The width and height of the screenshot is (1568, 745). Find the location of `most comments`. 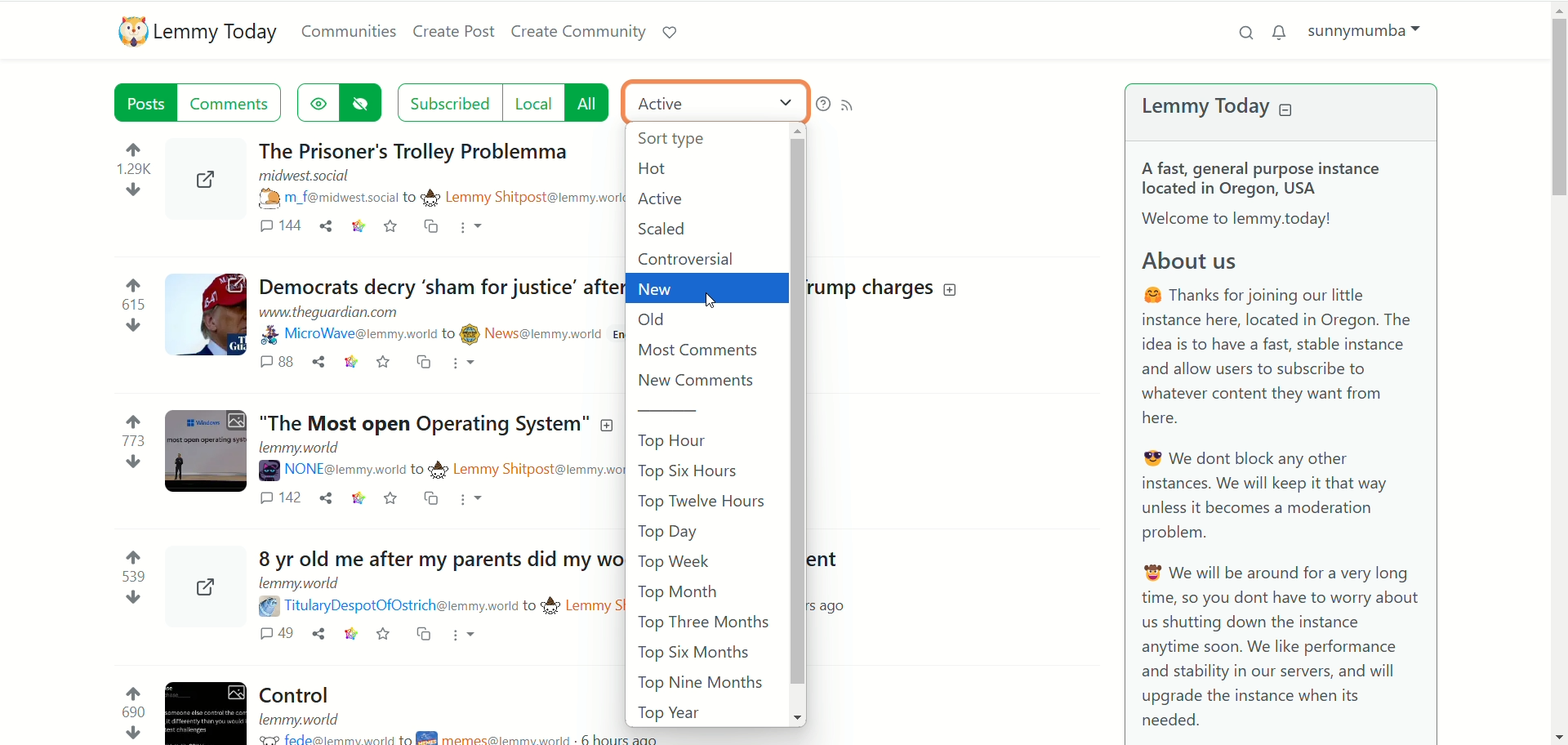

most comments is located at coordinates (705, 350).